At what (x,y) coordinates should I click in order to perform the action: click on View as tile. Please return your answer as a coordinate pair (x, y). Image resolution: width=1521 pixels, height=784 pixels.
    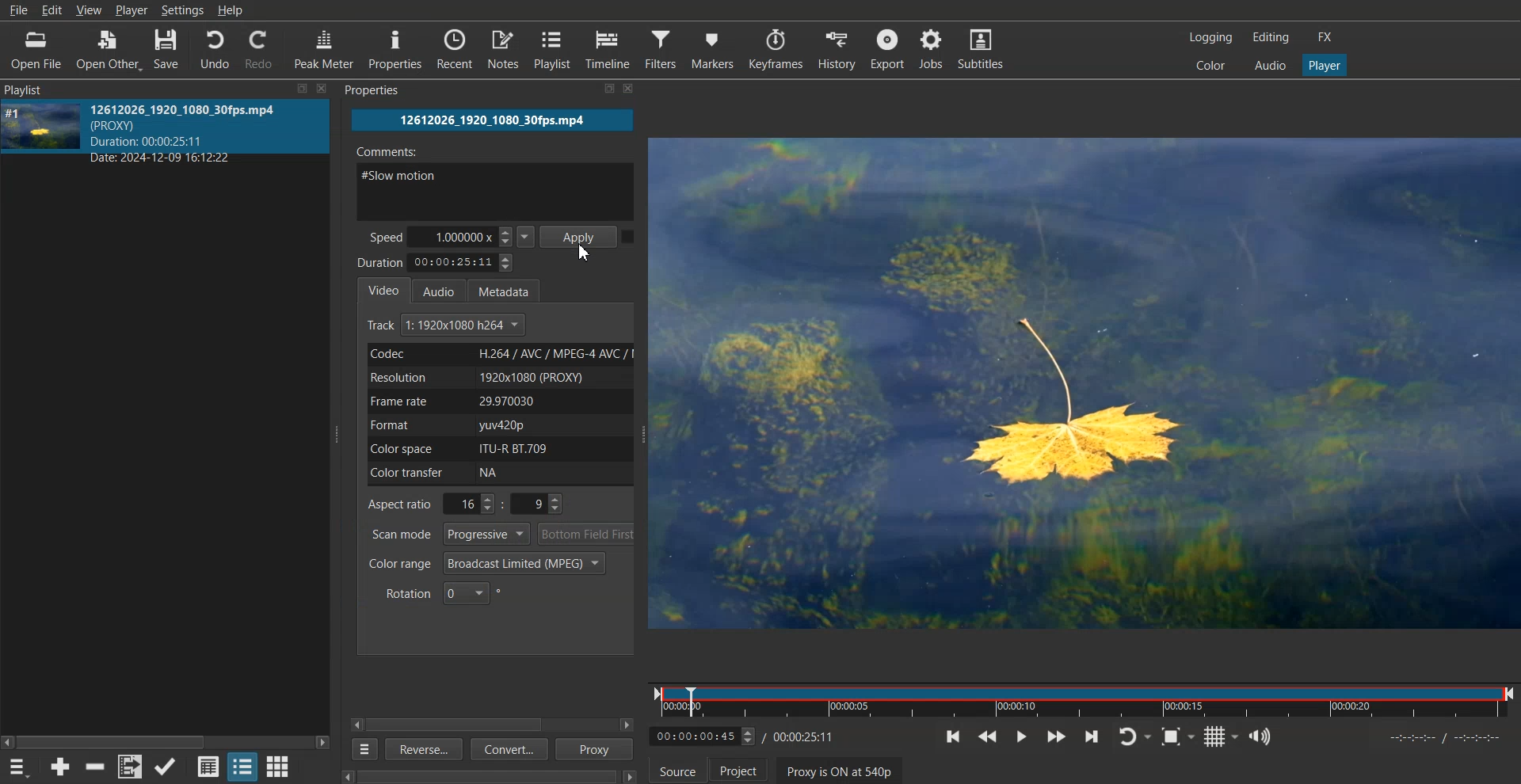
    Looking at the image, I should click on (242, 766).